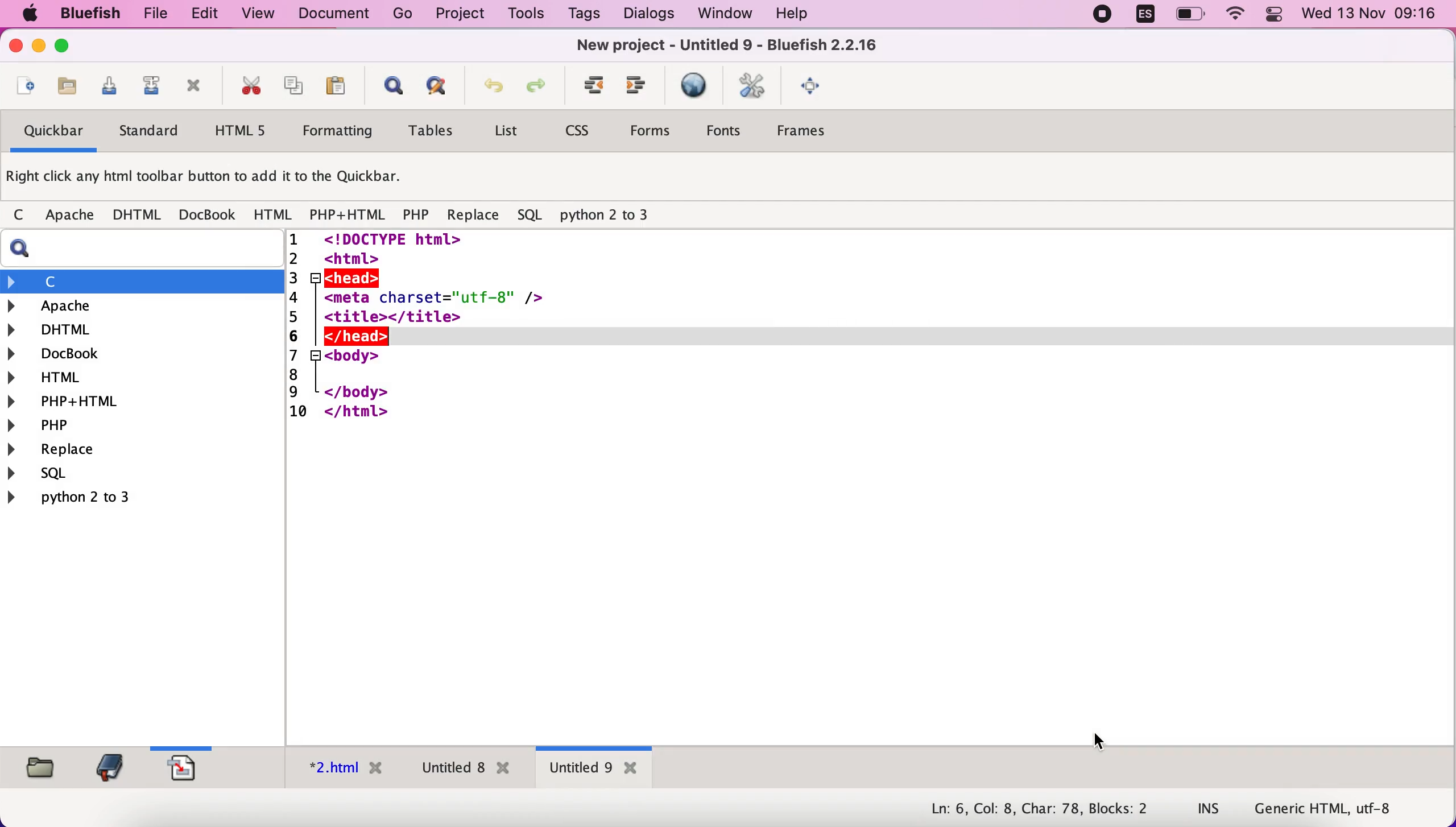 This screenshot has height=827, width=1456. Describe the element at coordinates (88, 497) in the screenshot. I see `python 2 to 3` at that location.